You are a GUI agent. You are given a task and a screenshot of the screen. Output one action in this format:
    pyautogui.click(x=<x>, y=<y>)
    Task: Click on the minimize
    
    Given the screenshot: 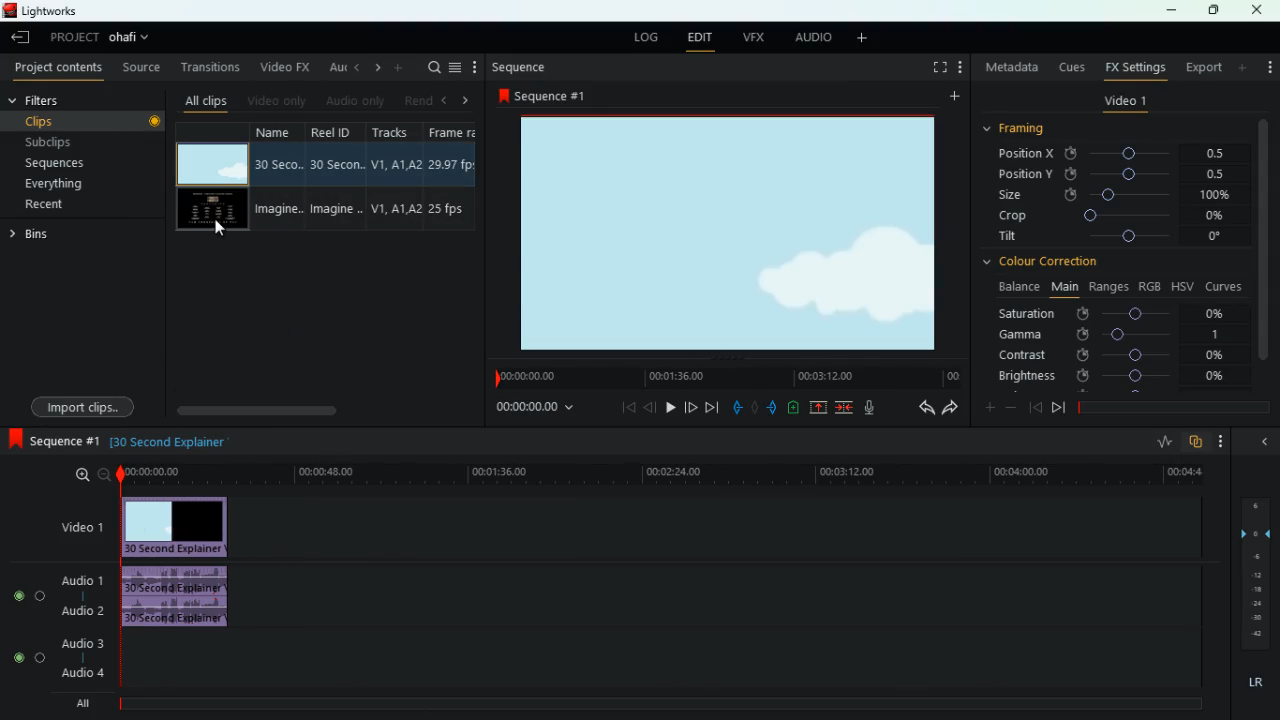 What is the action you would take?
    pyautogui.click(x=1171, y=12)
    